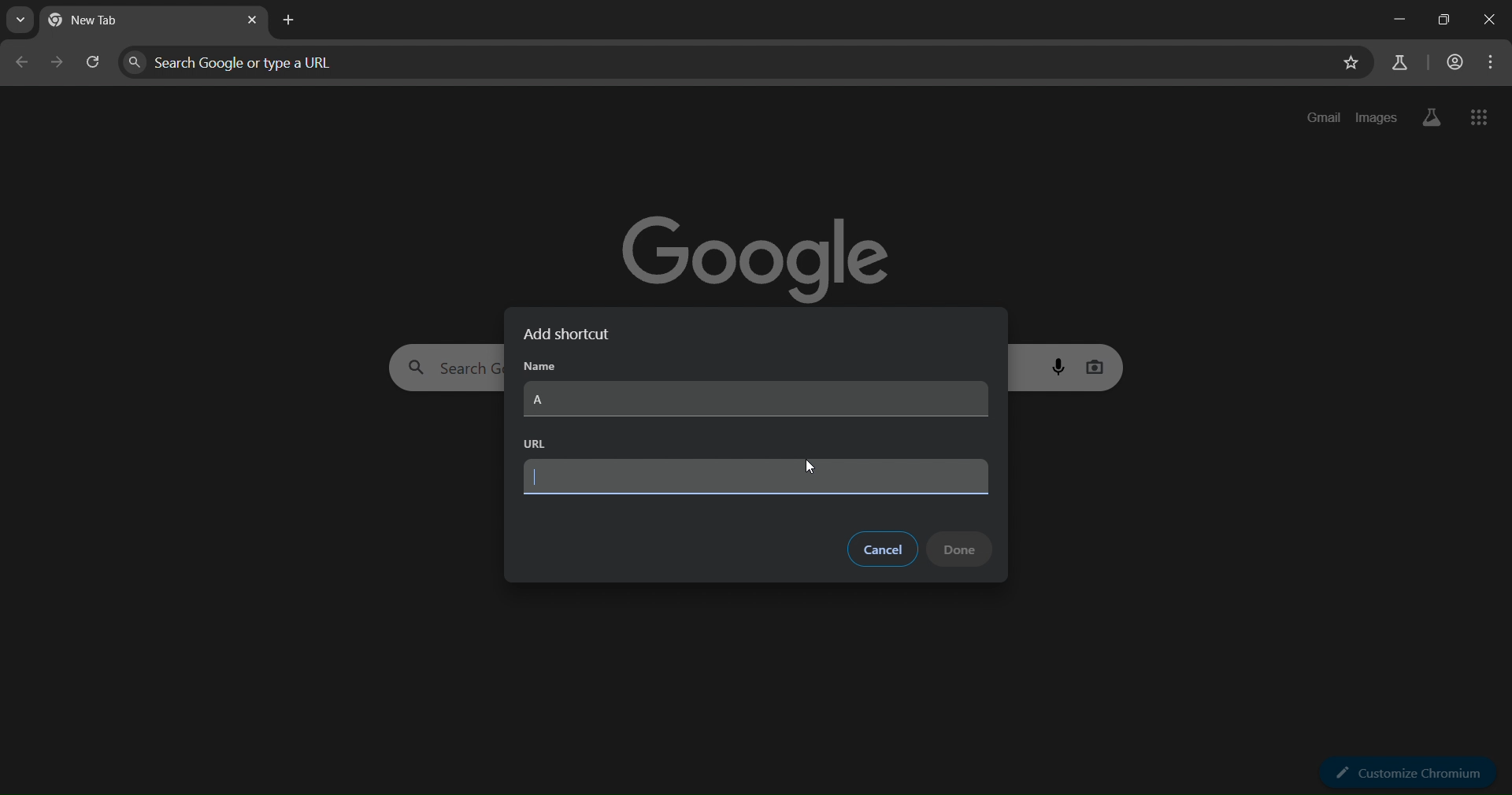 This screenshot has height=795, width=1512. What do you see at coordinates (1492, 62) in the screenshot?
I see `menu` at bounding box center [1492, 62].